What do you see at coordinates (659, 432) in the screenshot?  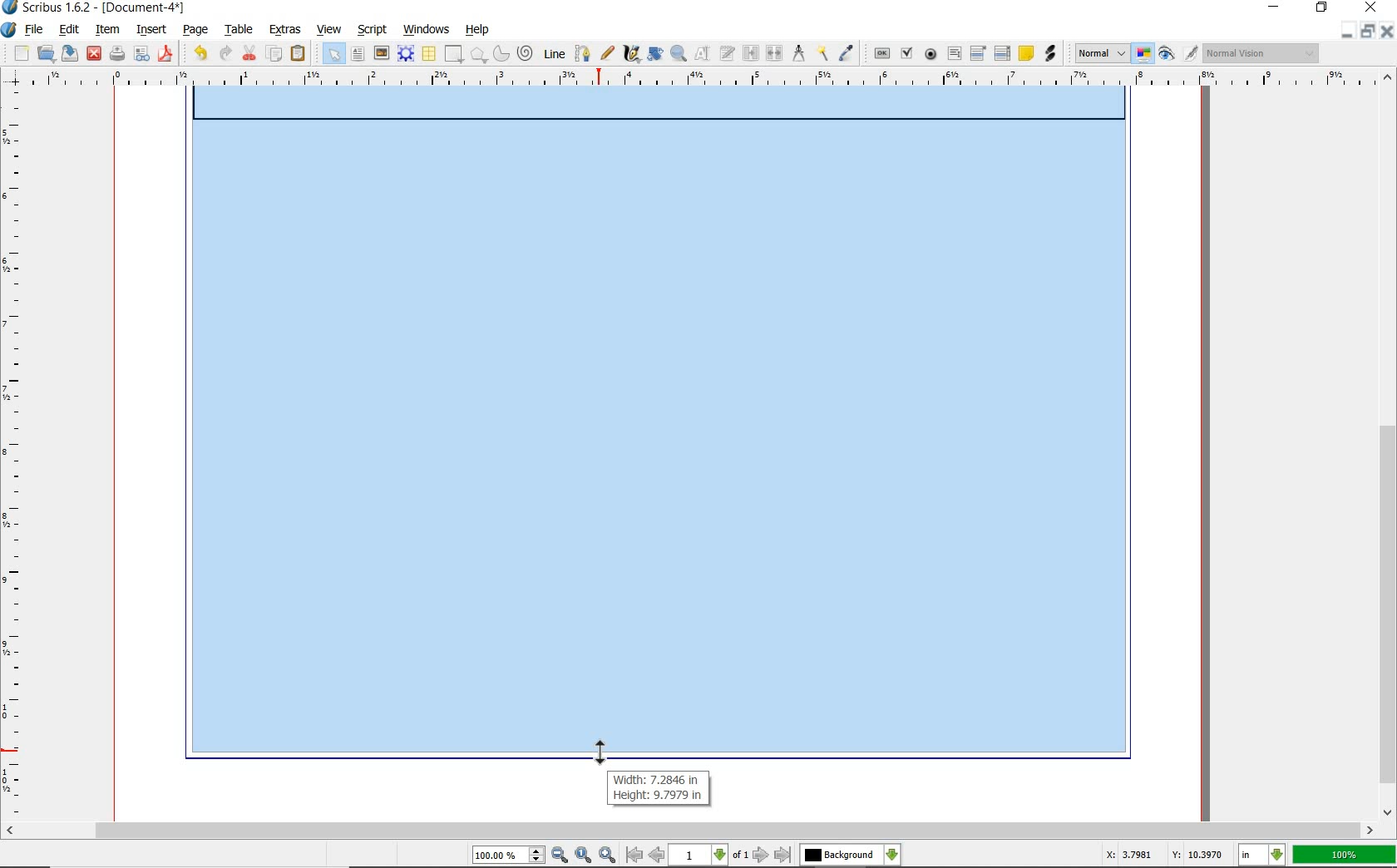 I see `expanding rectangle` at bounding box center [659, 432].